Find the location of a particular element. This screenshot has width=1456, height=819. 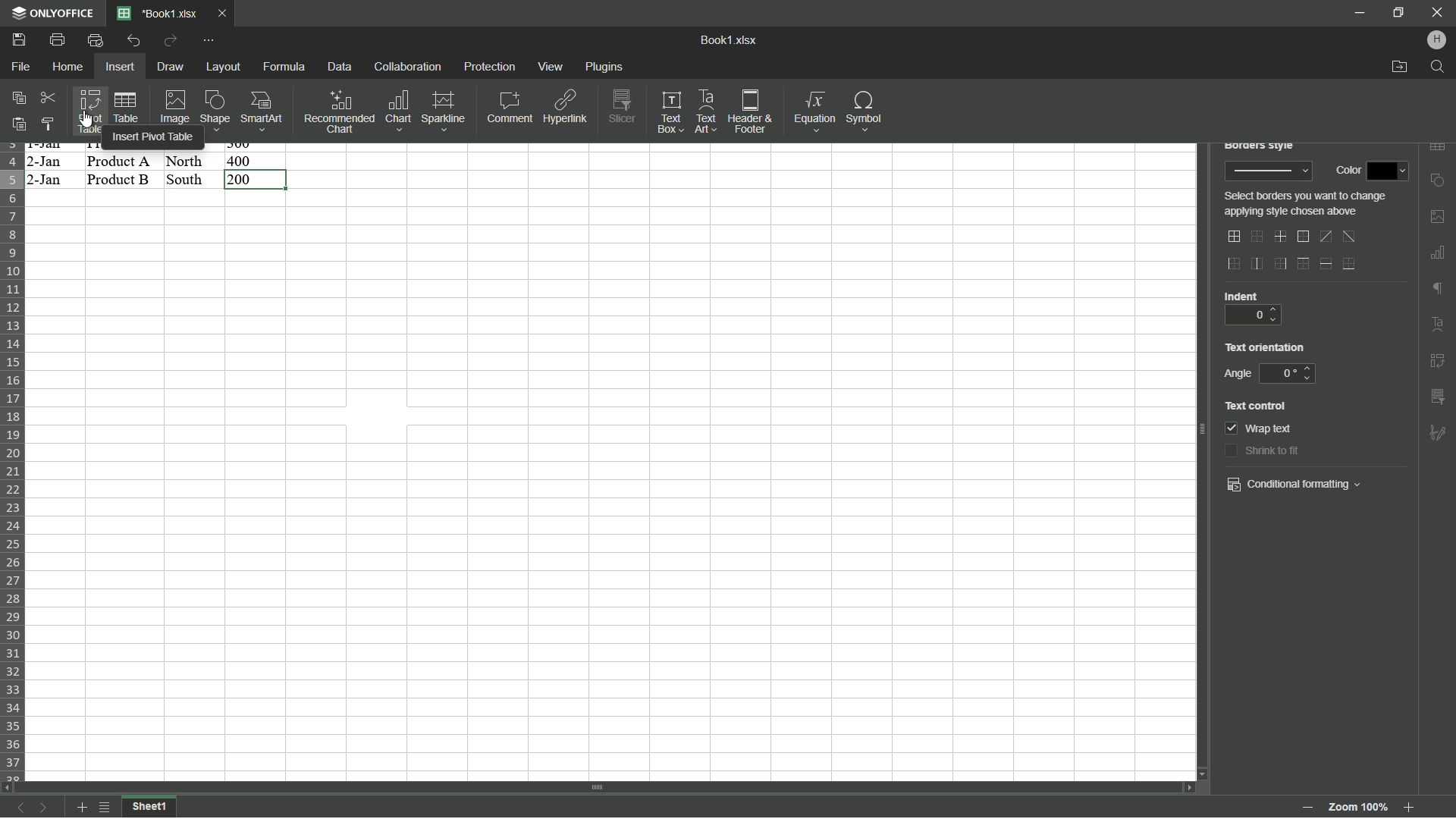

outer and inner lines is located at coordinates (1231, 237).